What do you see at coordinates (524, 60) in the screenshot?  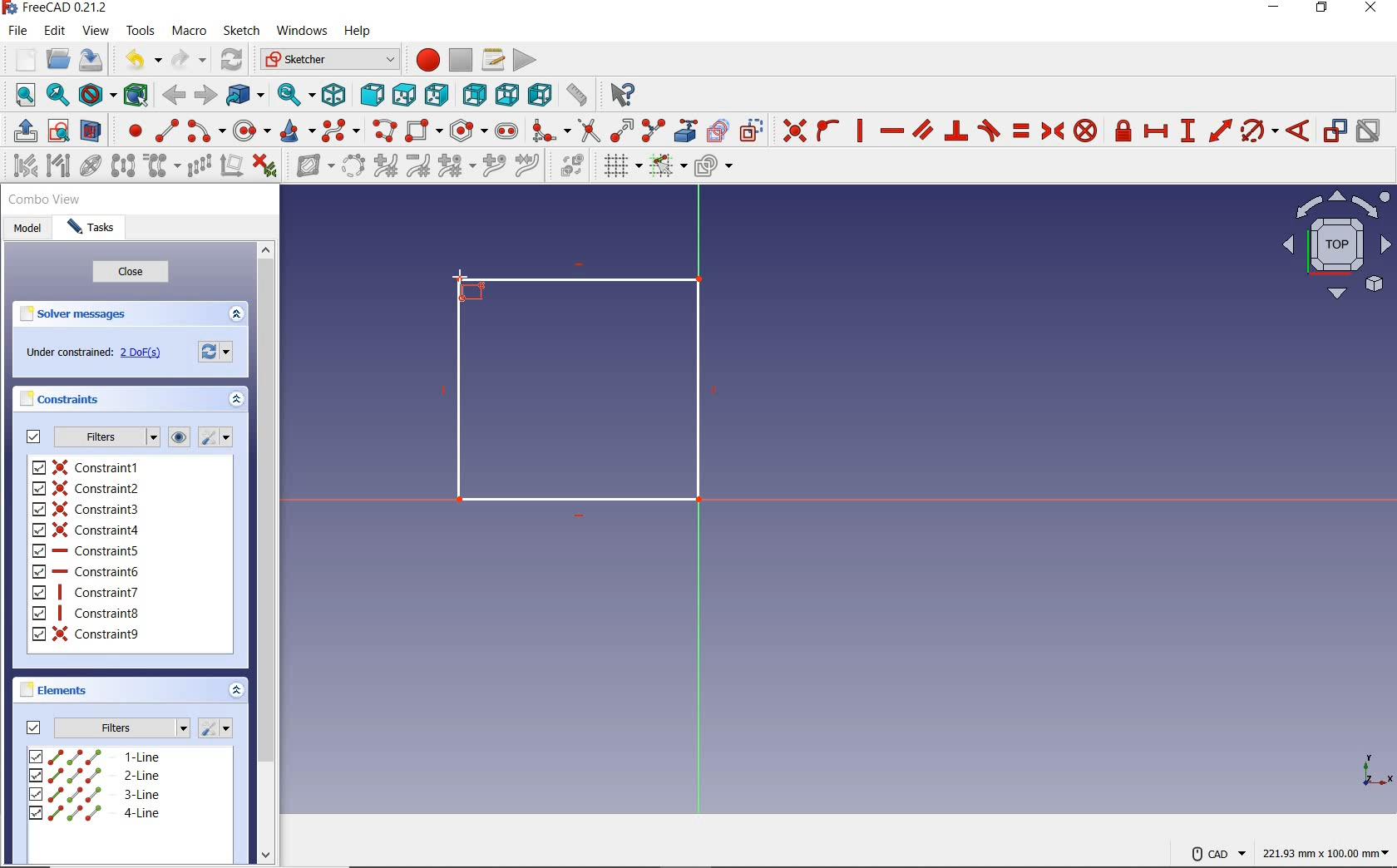 I see `execute macro` at bounding box center [524, 60].